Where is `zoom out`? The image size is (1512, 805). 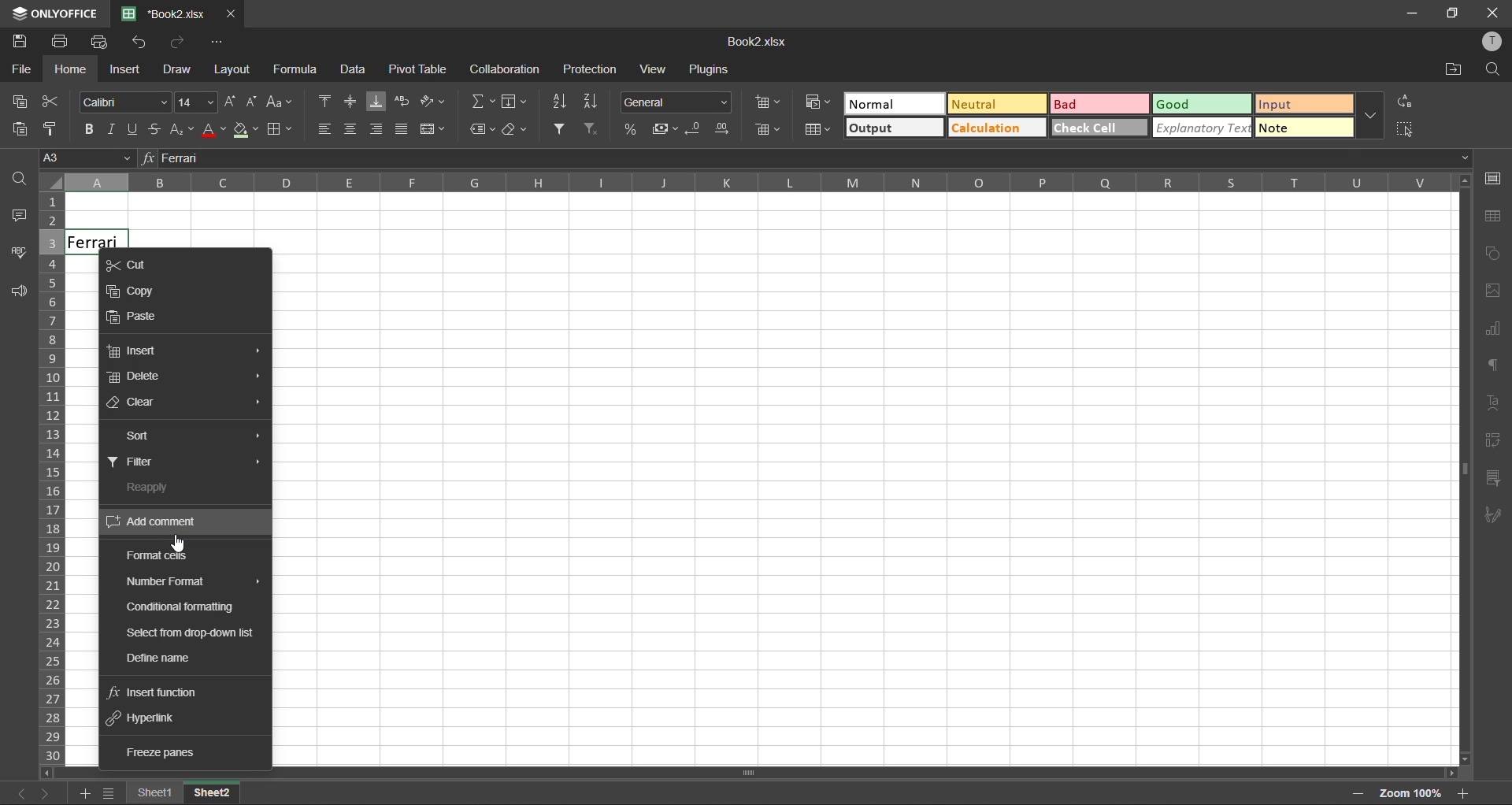
zoom out is located at coordinates (1358, 796).